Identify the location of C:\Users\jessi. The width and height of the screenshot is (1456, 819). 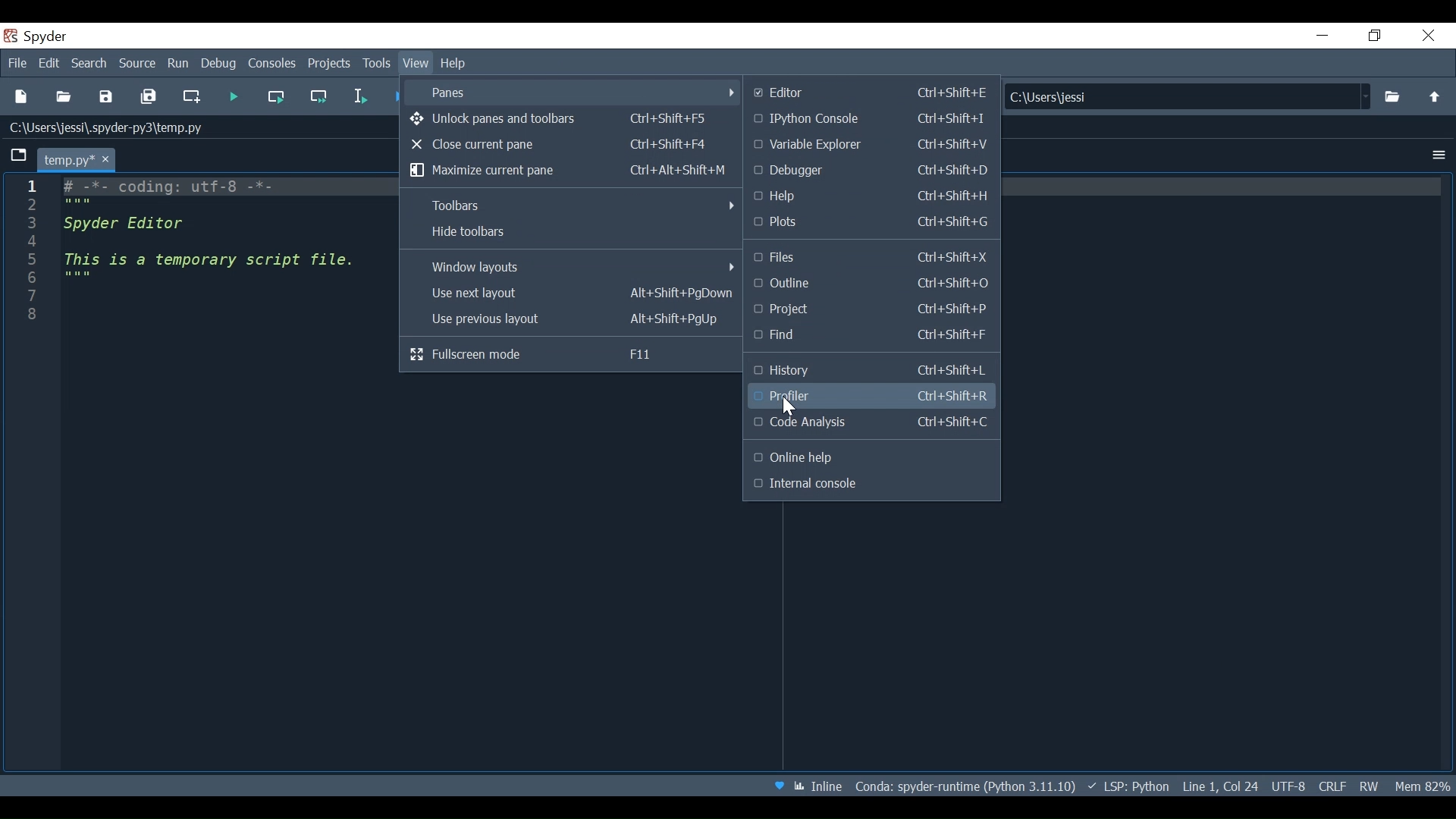
(1189, 96).